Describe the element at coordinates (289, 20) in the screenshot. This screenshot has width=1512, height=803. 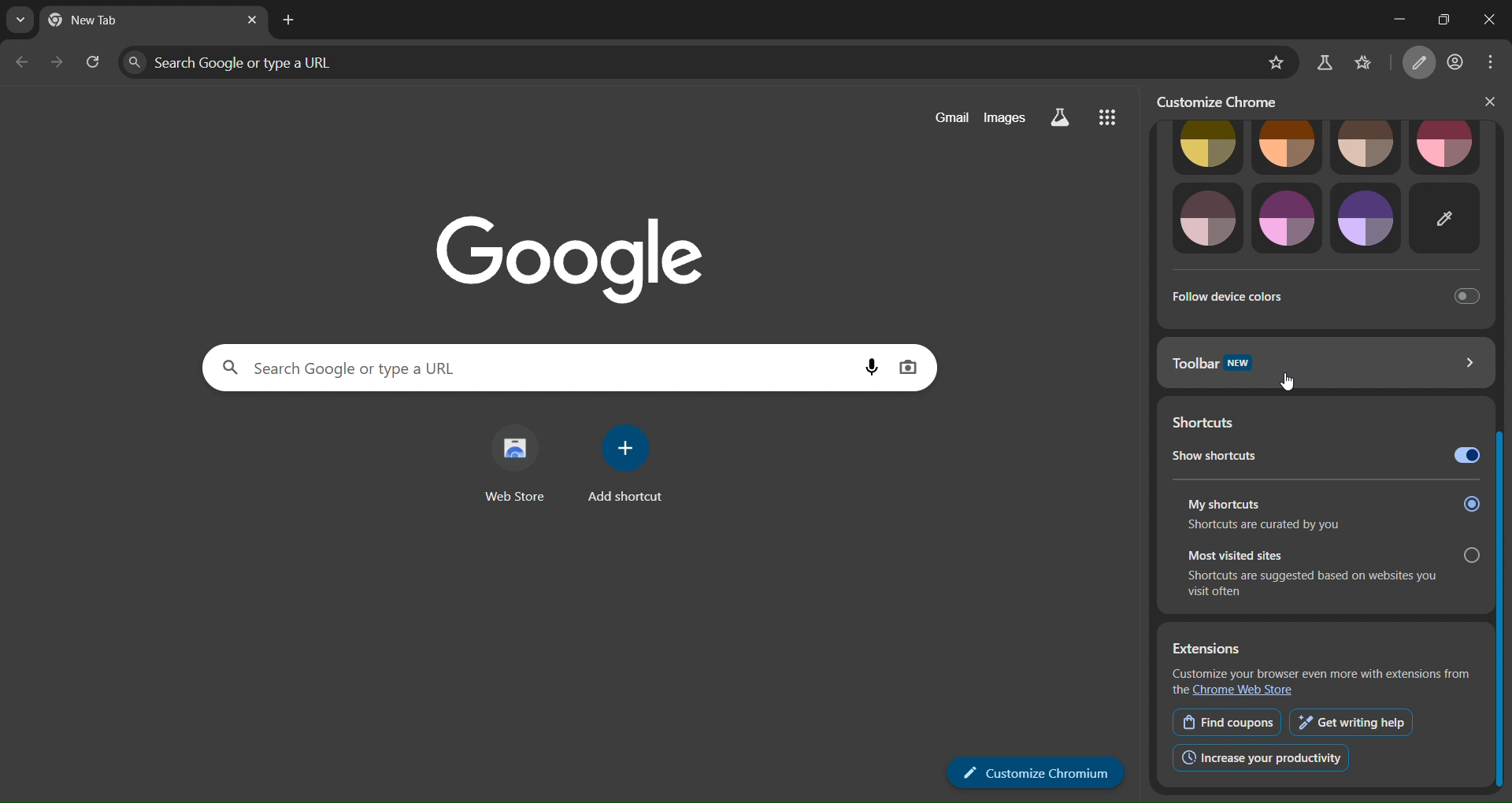
I see `new tab` at that location.